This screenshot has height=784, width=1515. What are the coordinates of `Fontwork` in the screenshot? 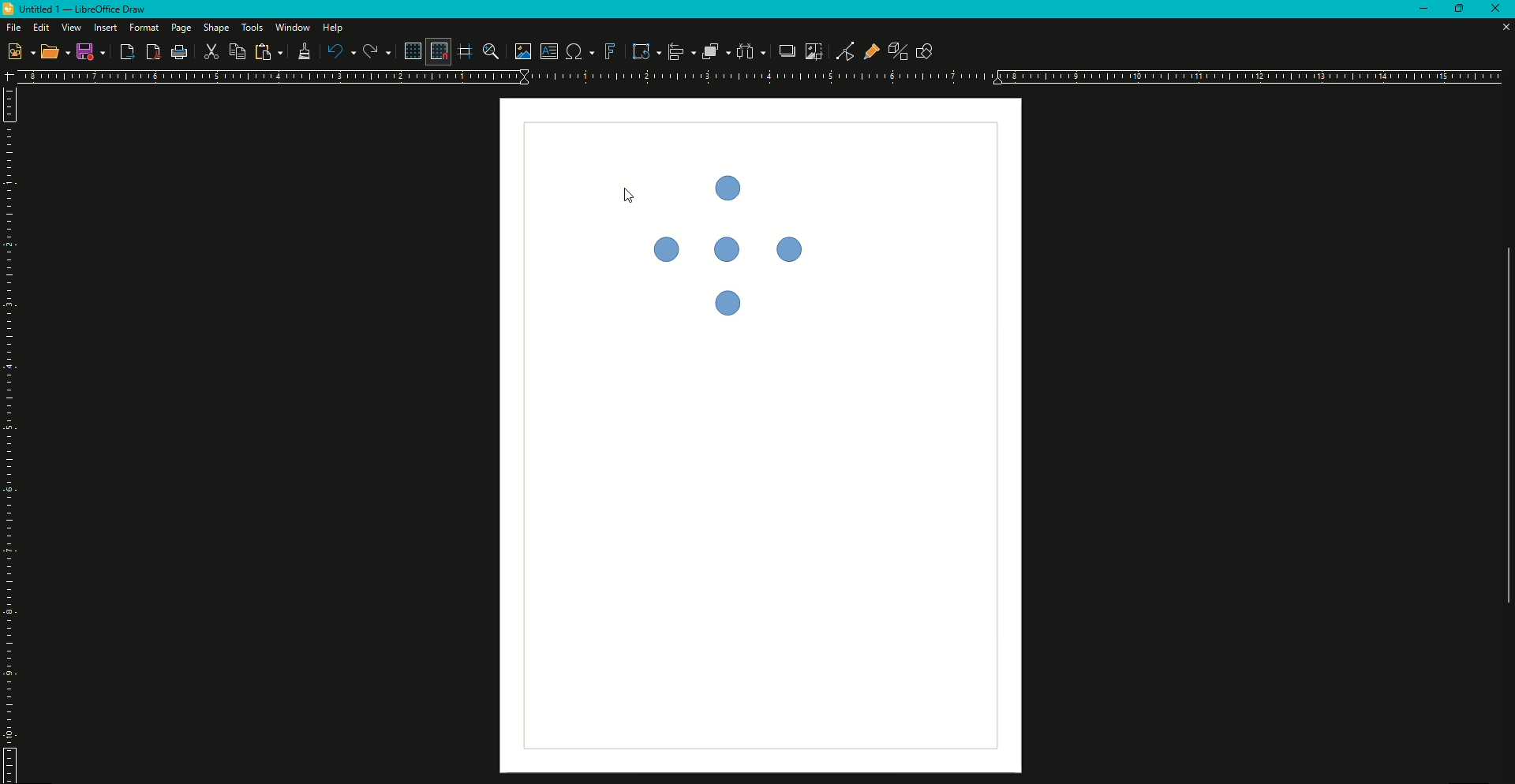 It's located at (610, 50).